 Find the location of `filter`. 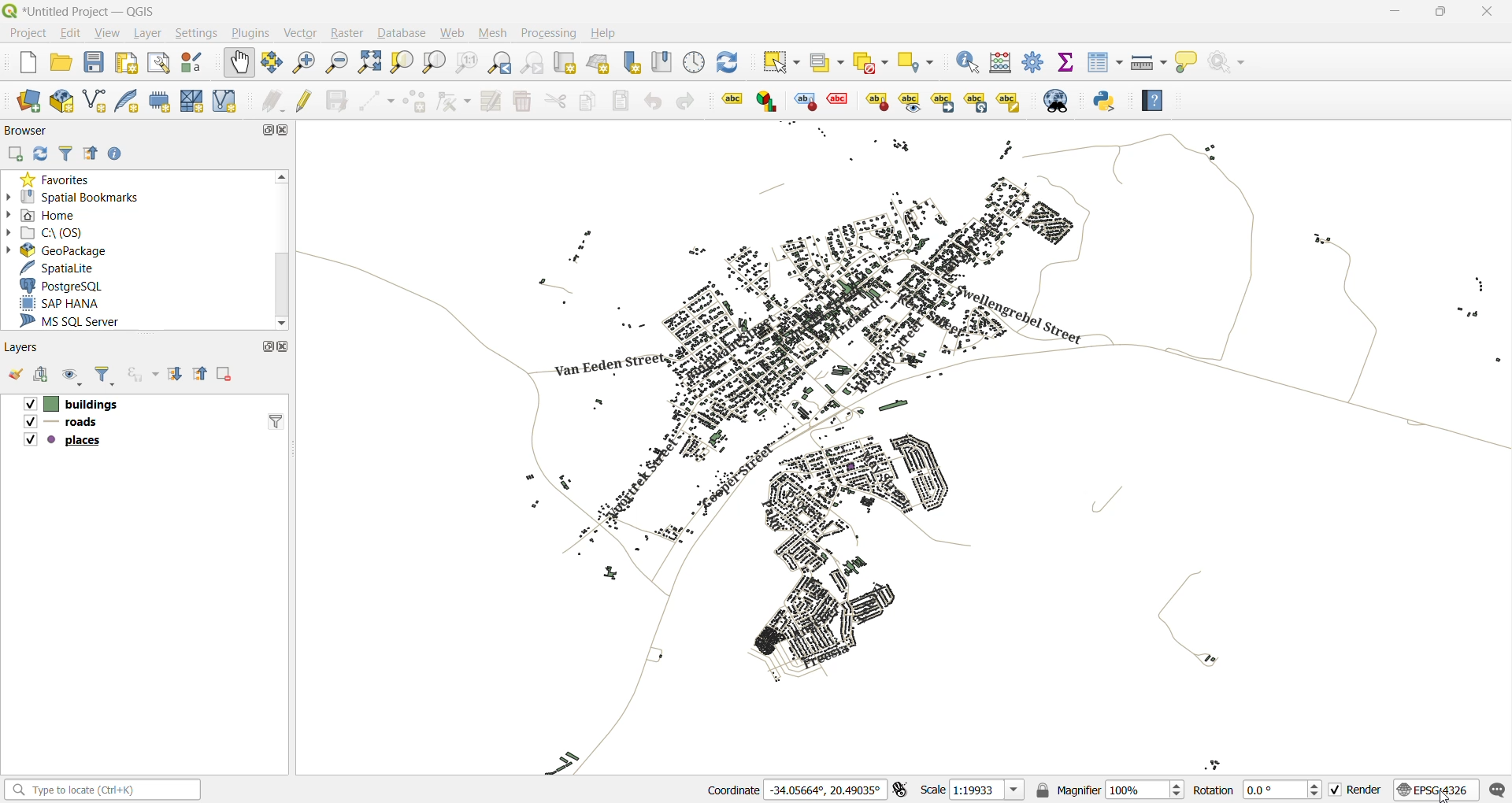

filter is located at coordinates (276, 420).